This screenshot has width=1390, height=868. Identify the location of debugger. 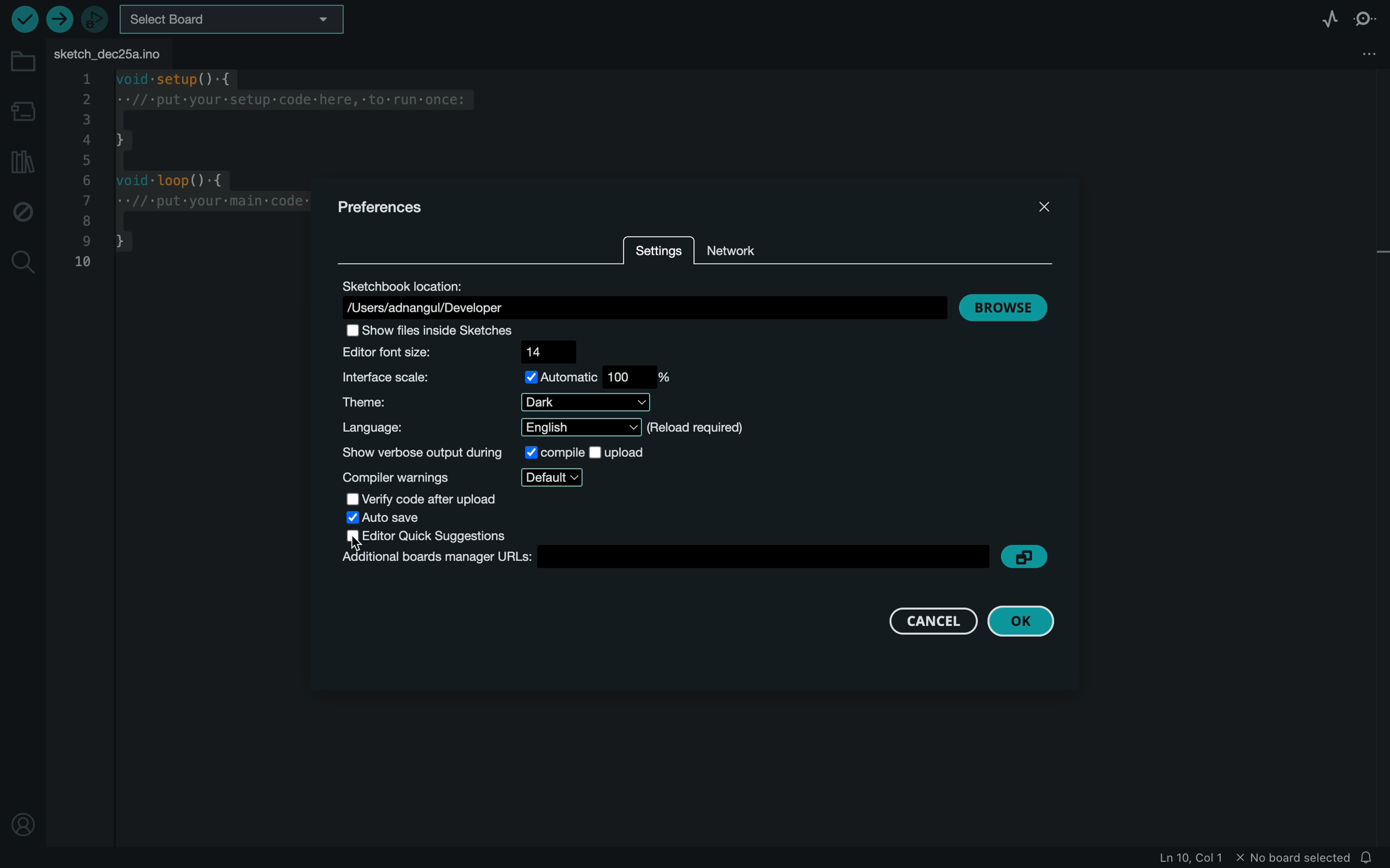
(96, 20).